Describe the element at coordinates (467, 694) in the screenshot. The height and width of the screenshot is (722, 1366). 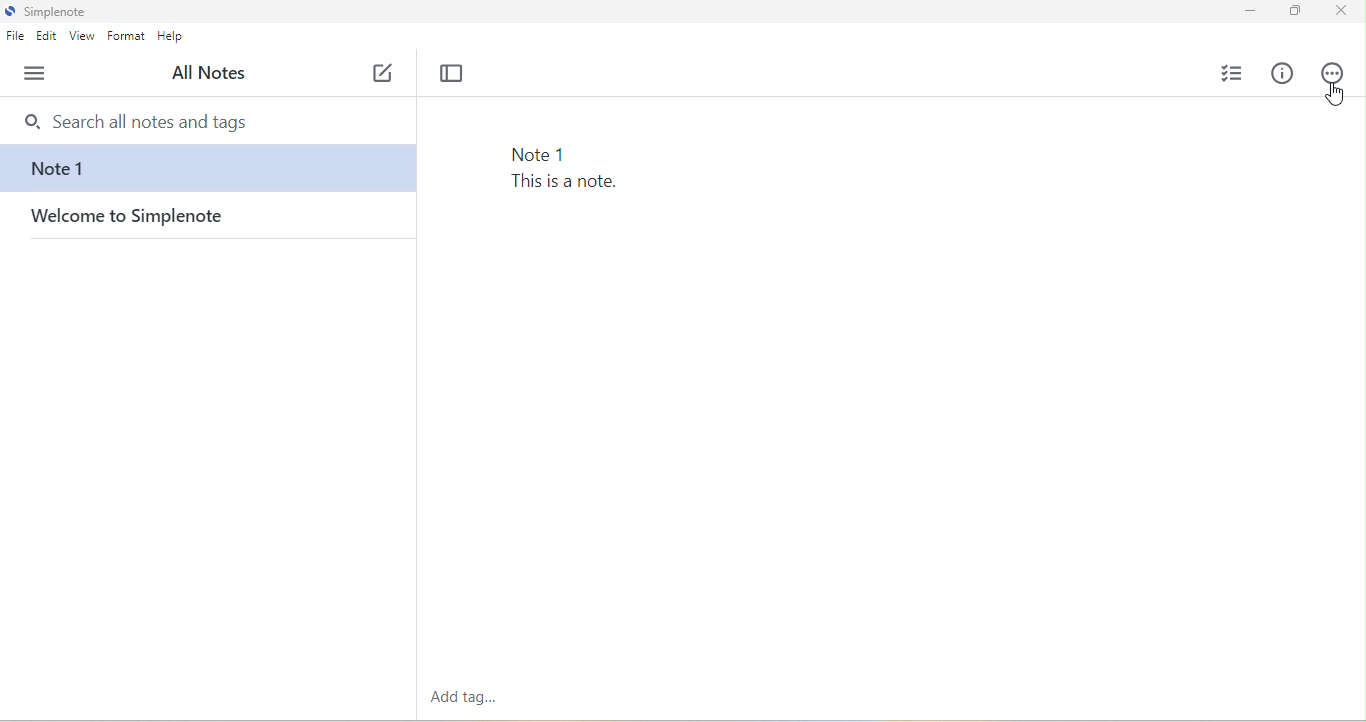
I see `add tag` at that location.